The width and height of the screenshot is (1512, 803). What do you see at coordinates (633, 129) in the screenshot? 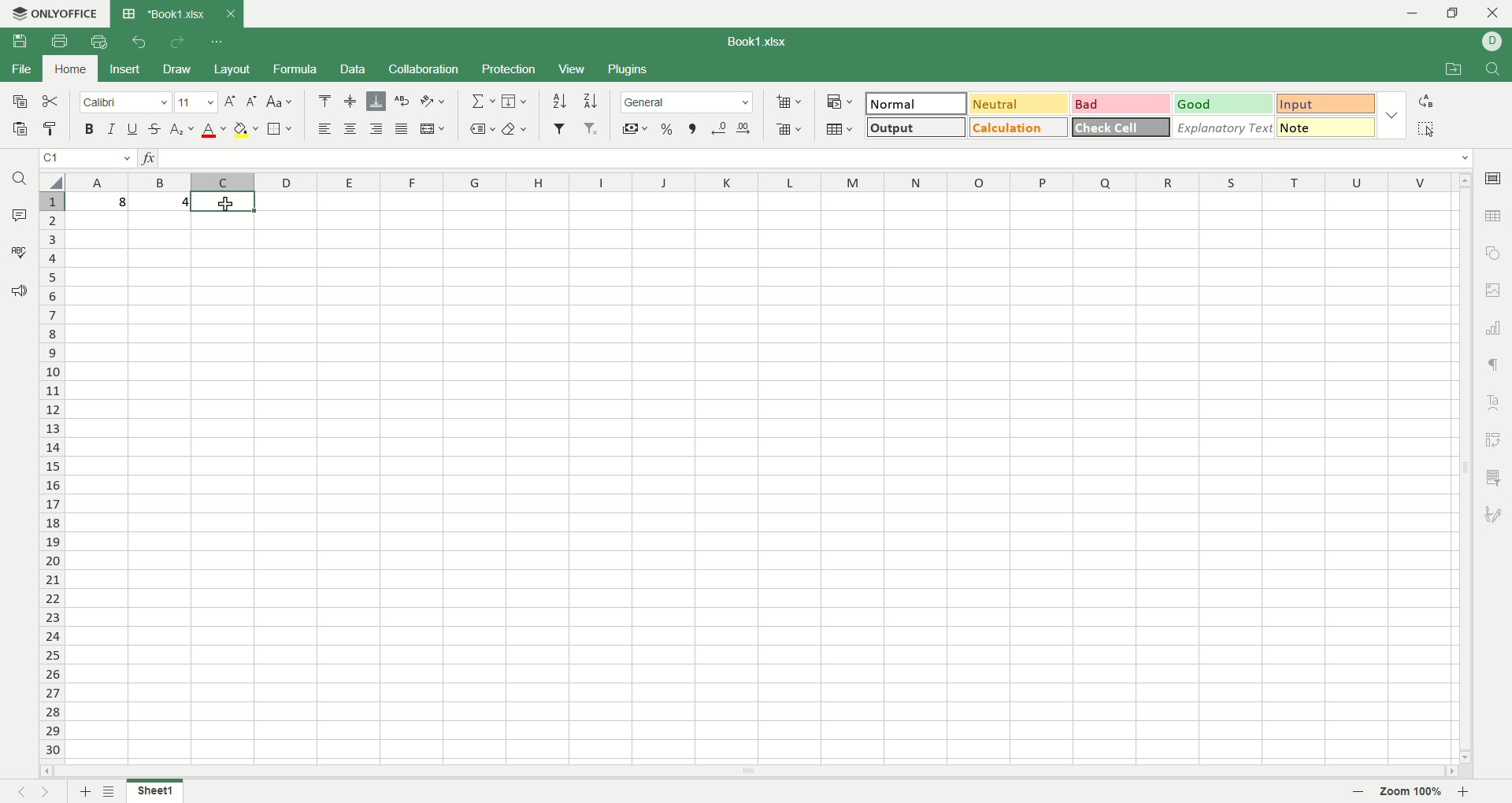
I see `currency format` at bounding box center [633, 129].